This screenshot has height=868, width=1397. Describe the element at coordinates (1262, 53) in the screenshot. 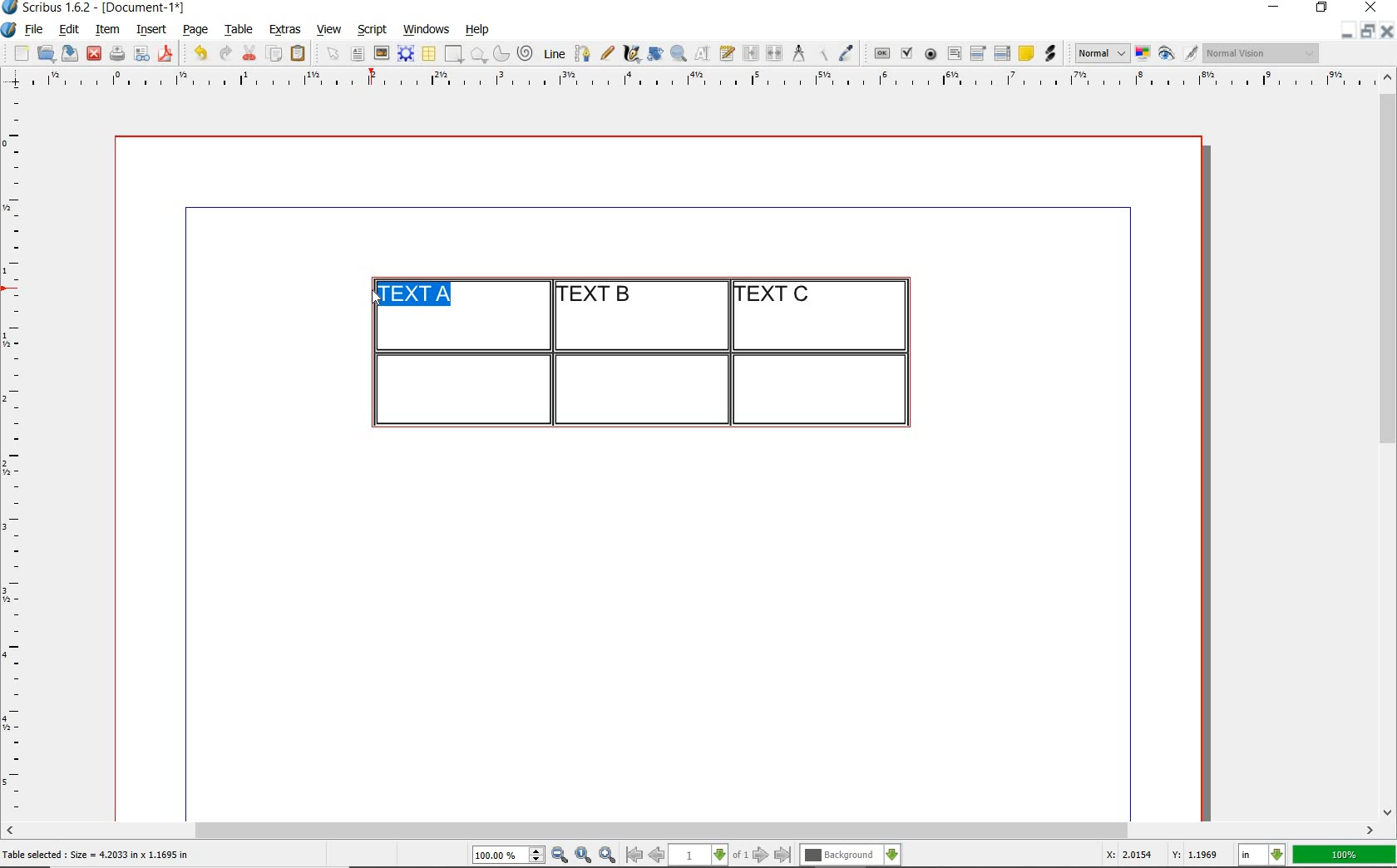

I see `visual appearance of the display` at that location.